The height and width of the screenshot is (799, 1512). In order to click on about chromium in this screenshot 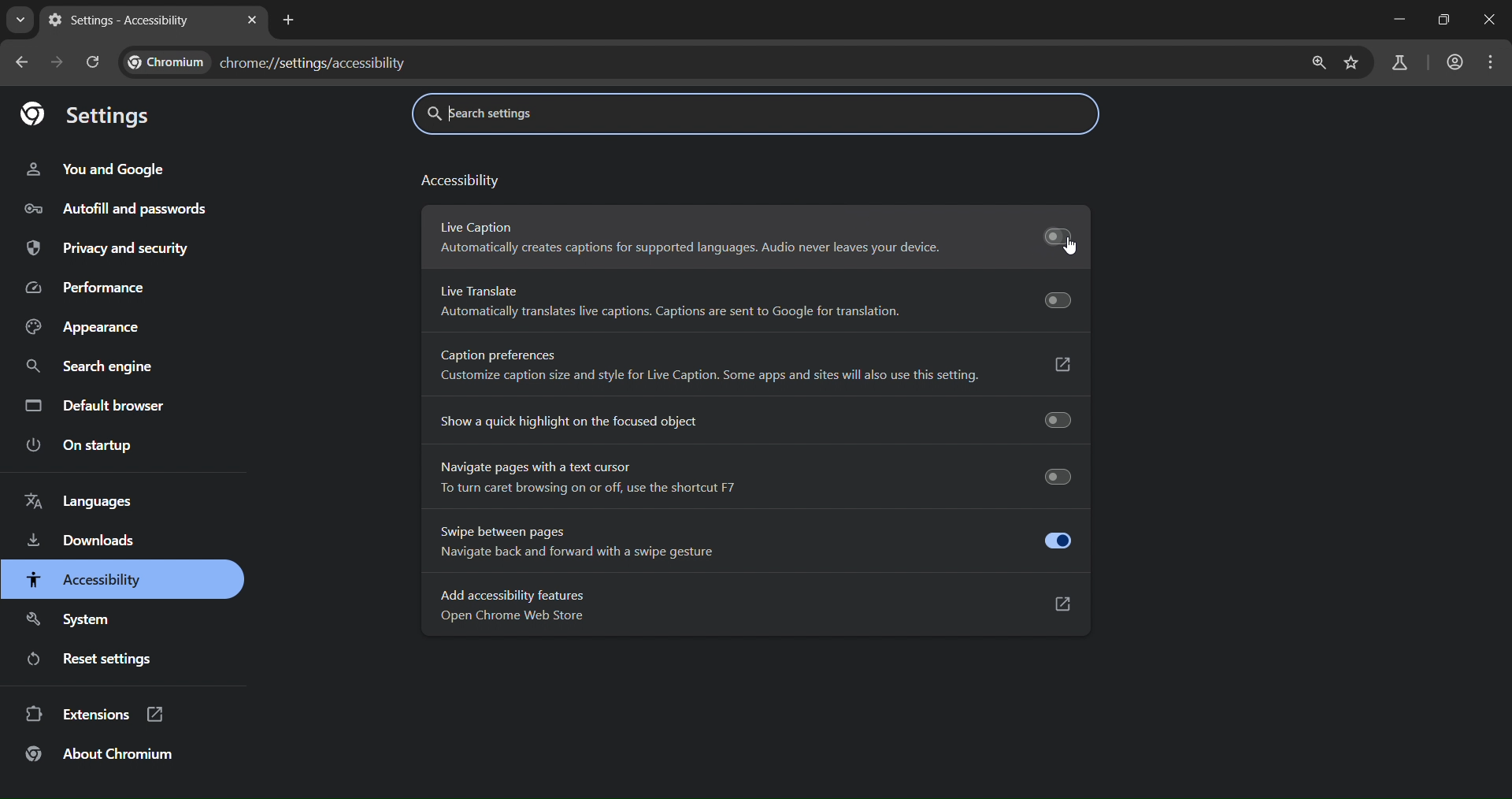, I will do `click(105, 756)`.